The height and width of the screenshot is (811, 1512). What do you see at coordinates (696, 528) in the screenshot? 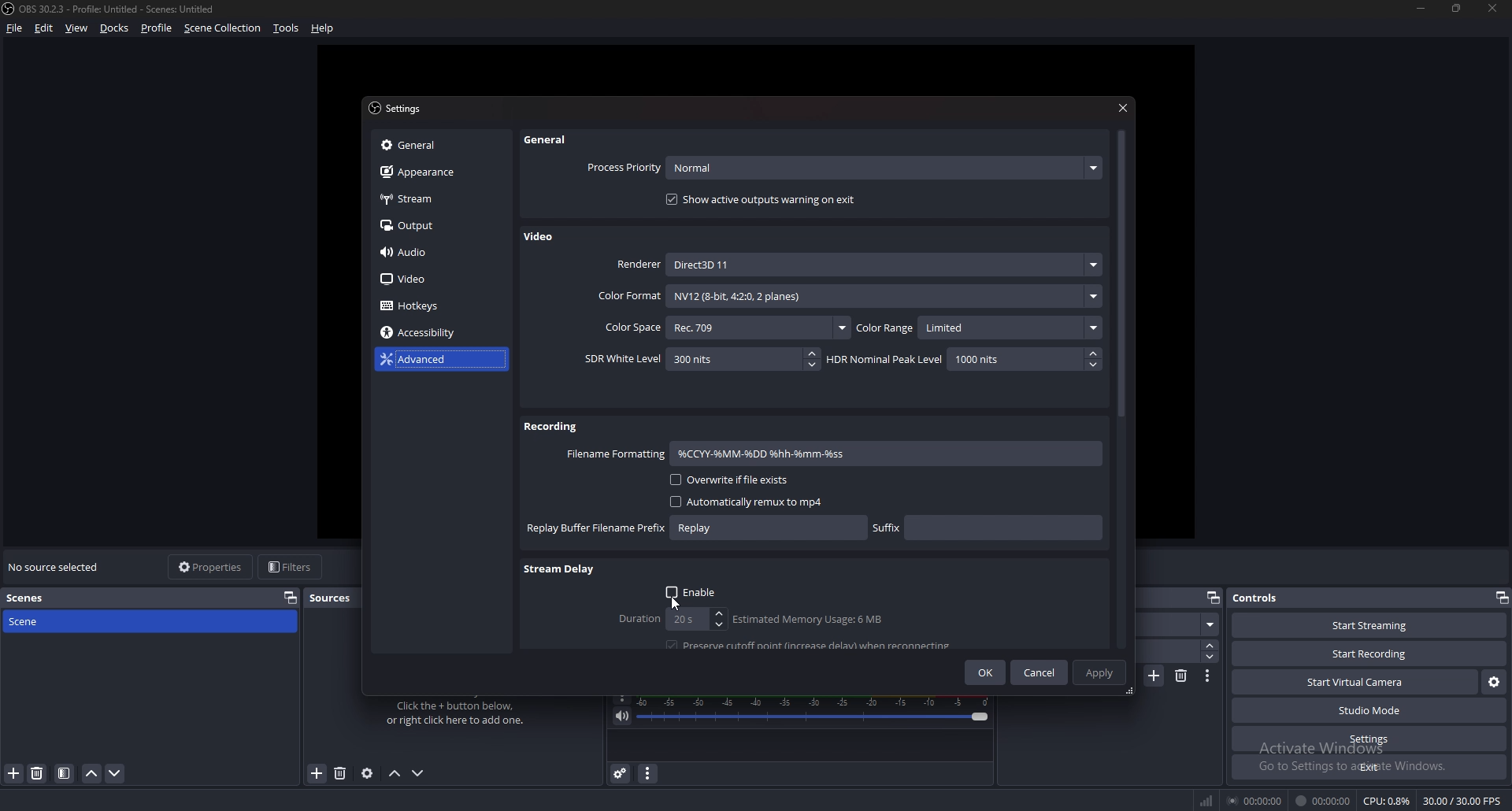
I see `replay buffer file name prefix` at bounding box center [696, 528].